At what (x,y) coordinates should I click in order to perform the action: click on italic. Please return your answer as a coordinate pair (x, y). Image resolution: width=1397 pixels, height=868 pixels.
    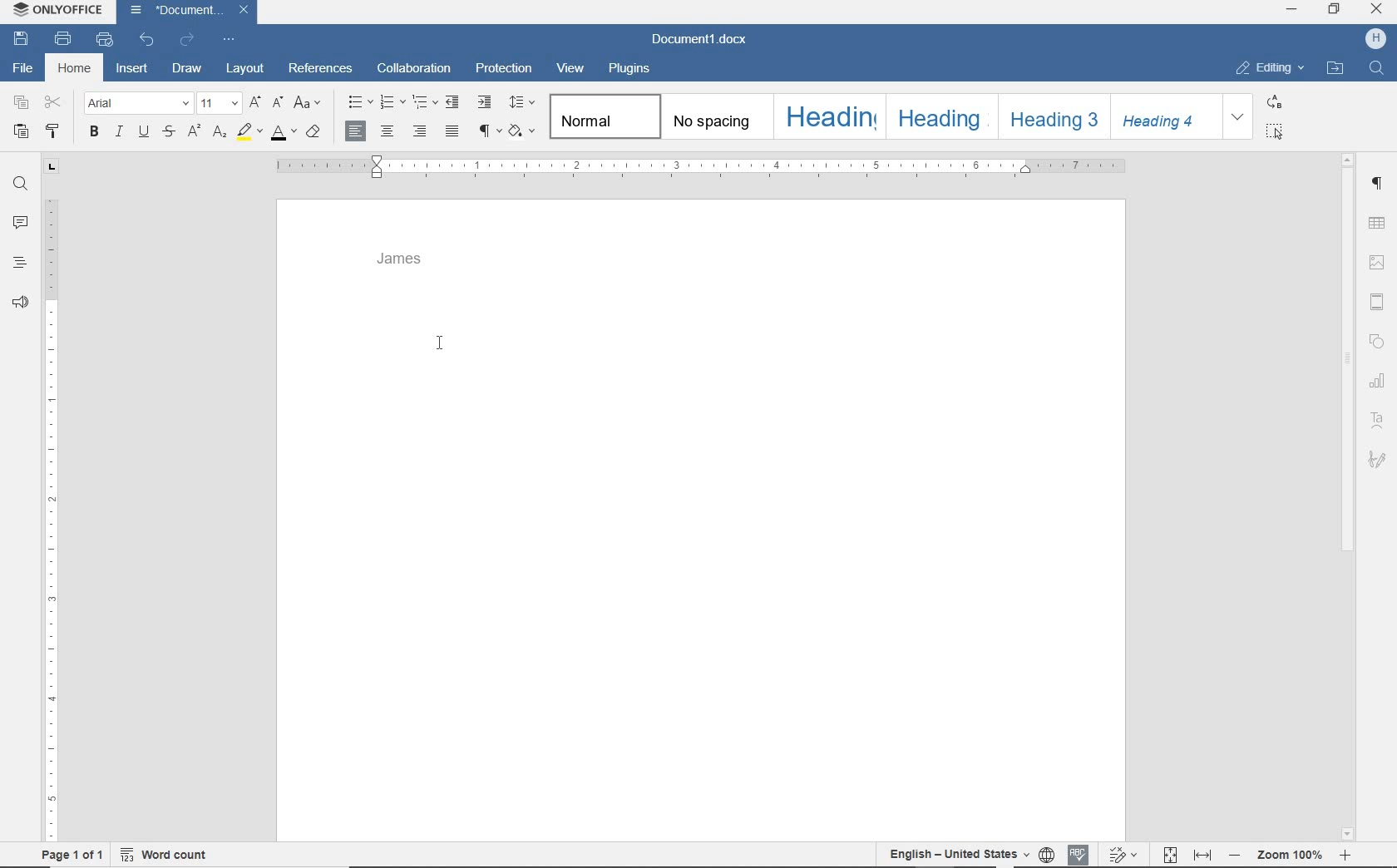
    Looking at the image, I should click on (118, 133).